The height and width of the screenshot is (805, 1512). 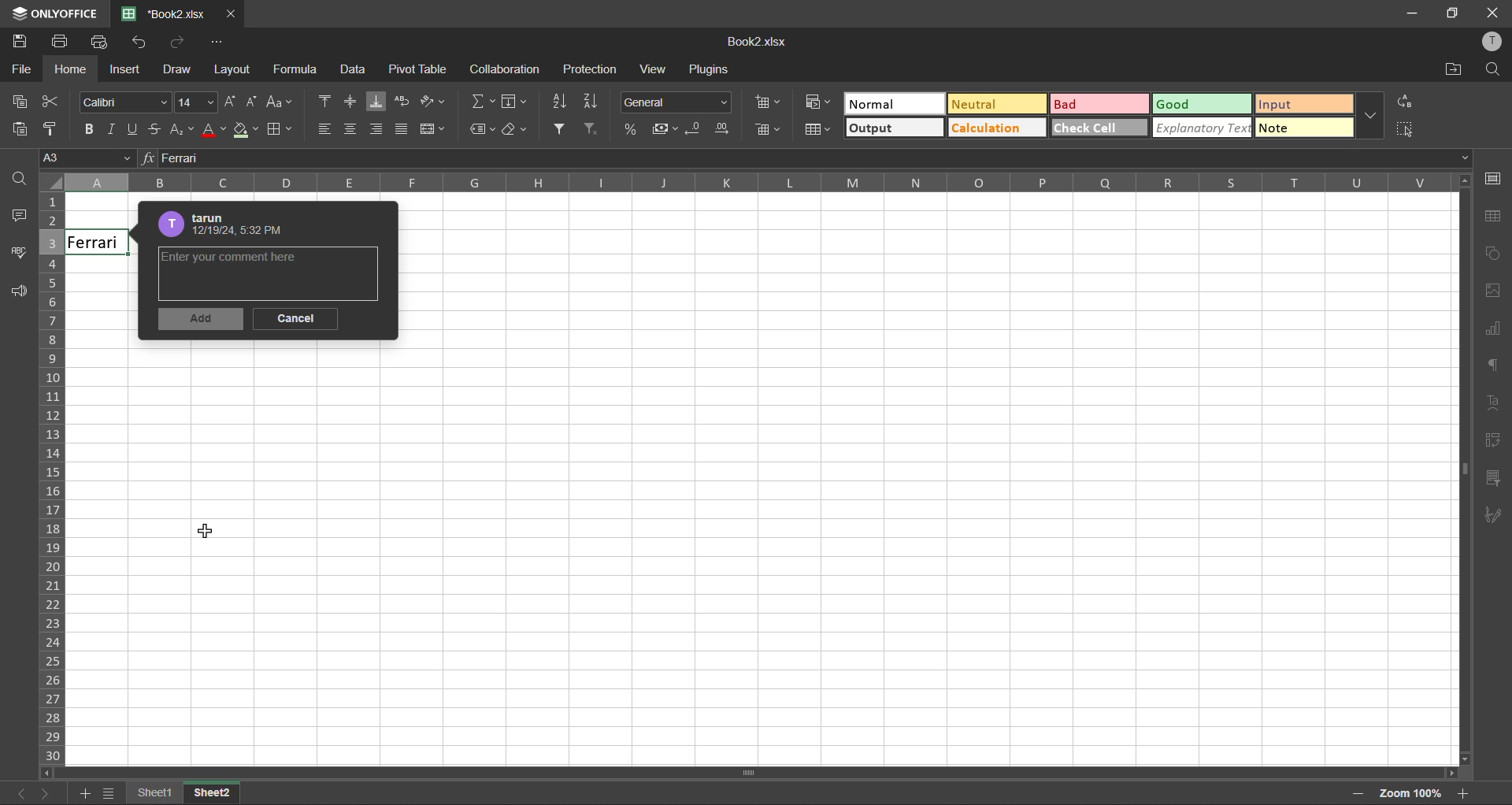 I want to click on Ferrari, so click(x=98, y=243).